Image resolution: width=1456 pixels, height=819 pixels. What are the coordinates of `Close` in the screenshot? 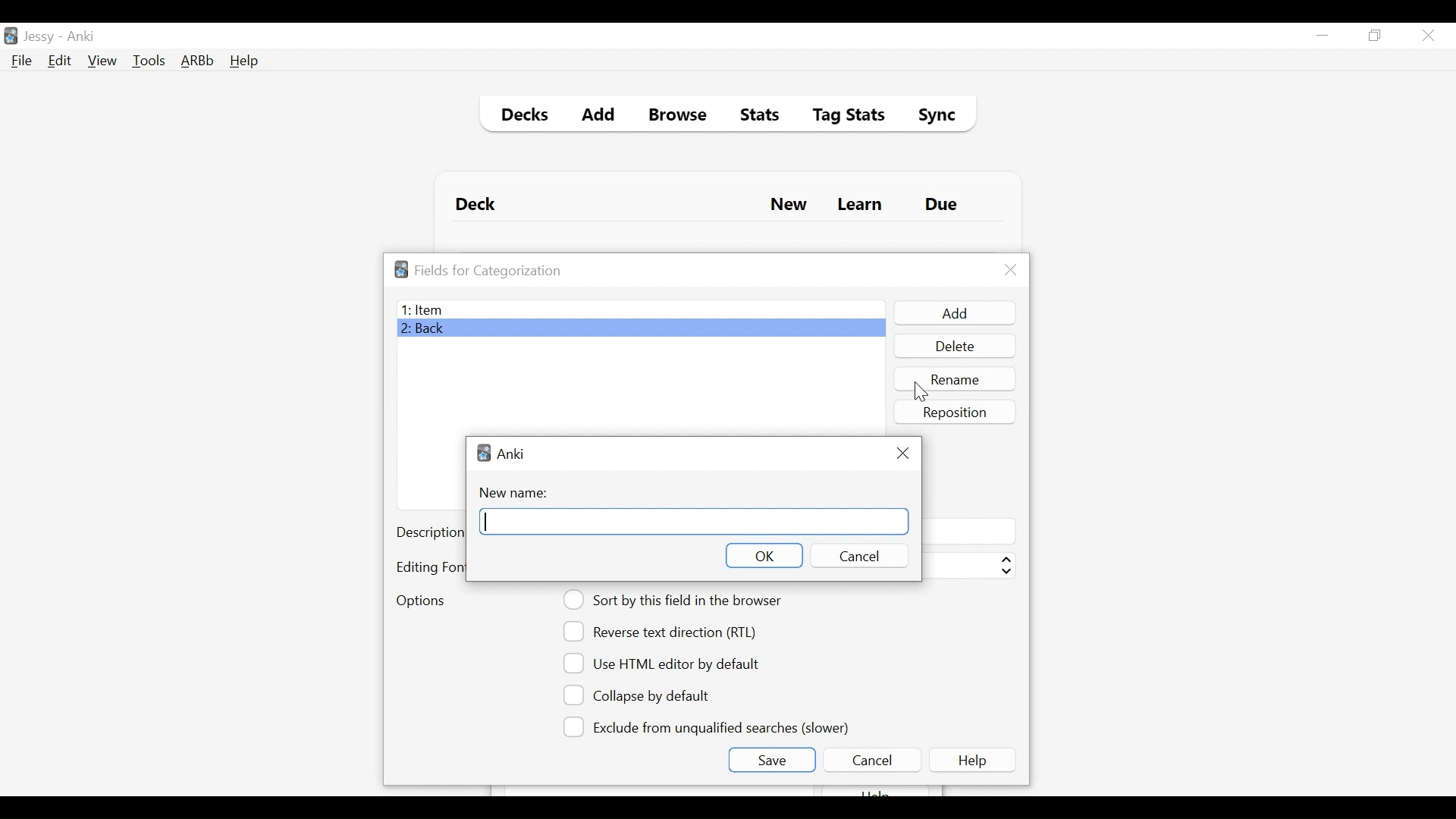 It's located at (1428, 36).